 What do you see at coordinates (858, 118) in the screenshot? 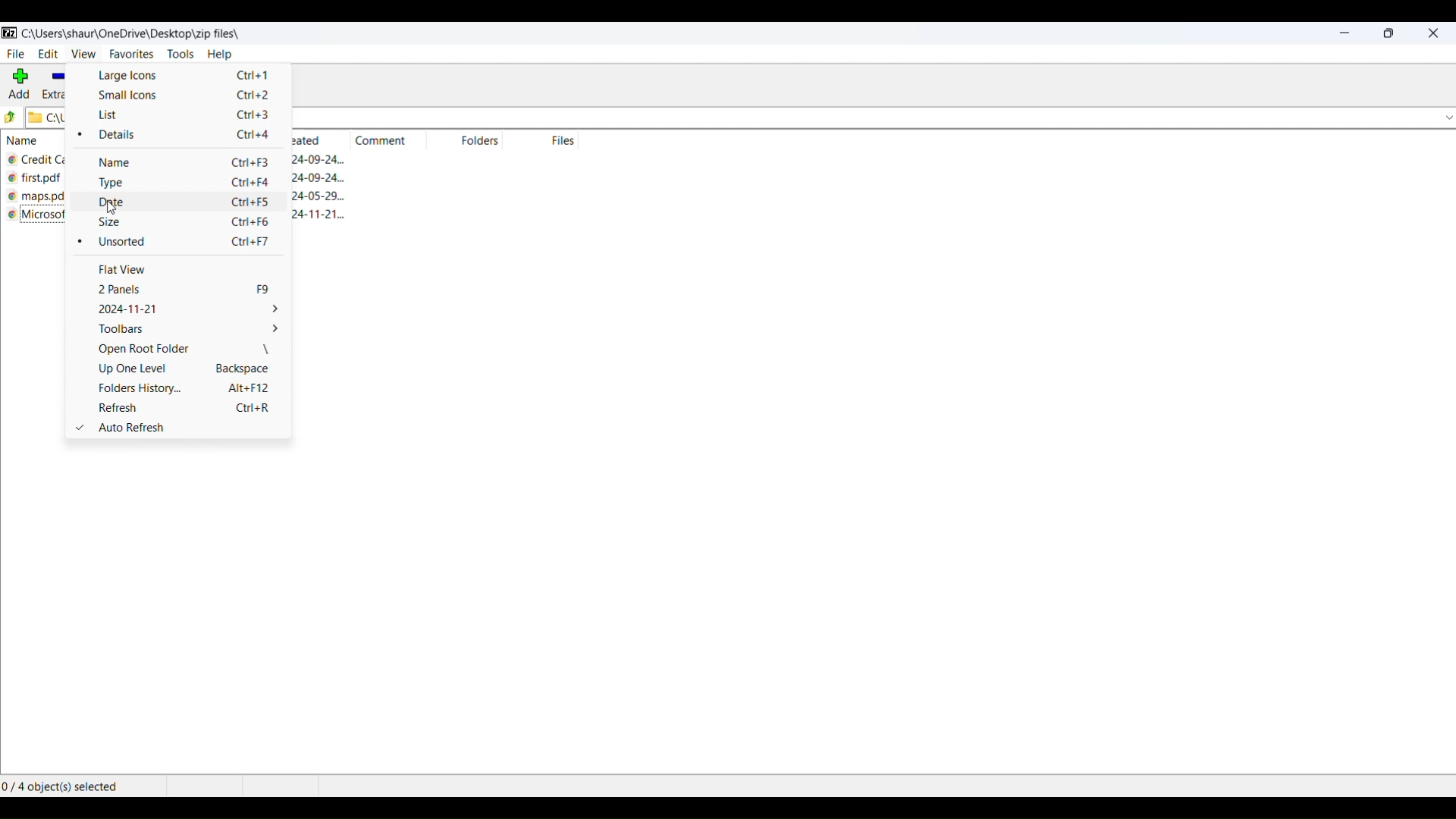
I see `folder path` at bounding box center [858, 118].